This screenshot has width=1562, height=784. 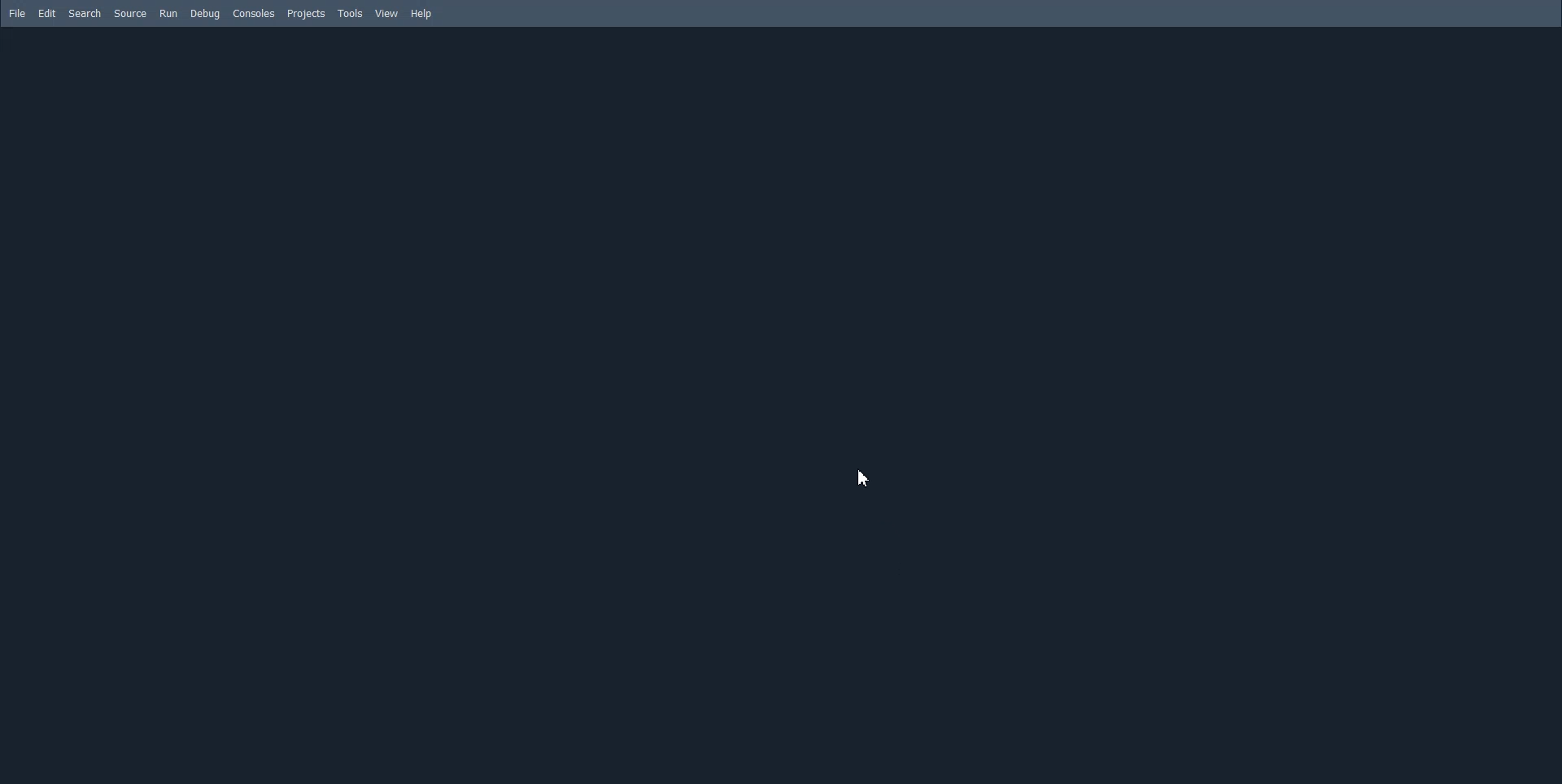 I want to click on Search, so click(x=85, y=13).